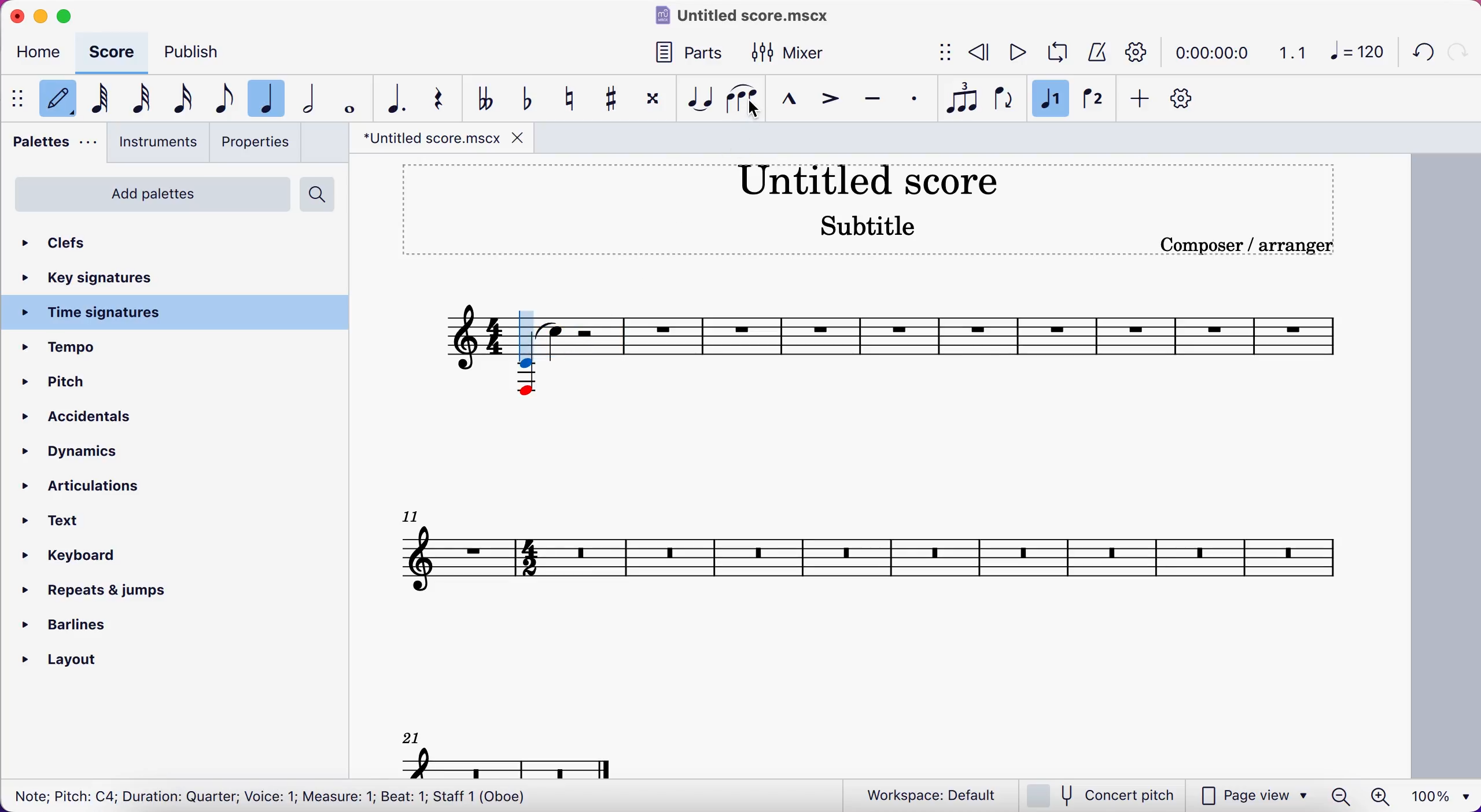  What do you see at coordinates (178, 313) in the screenshot?
I see `time signatures` at bounding box center [178, 313].